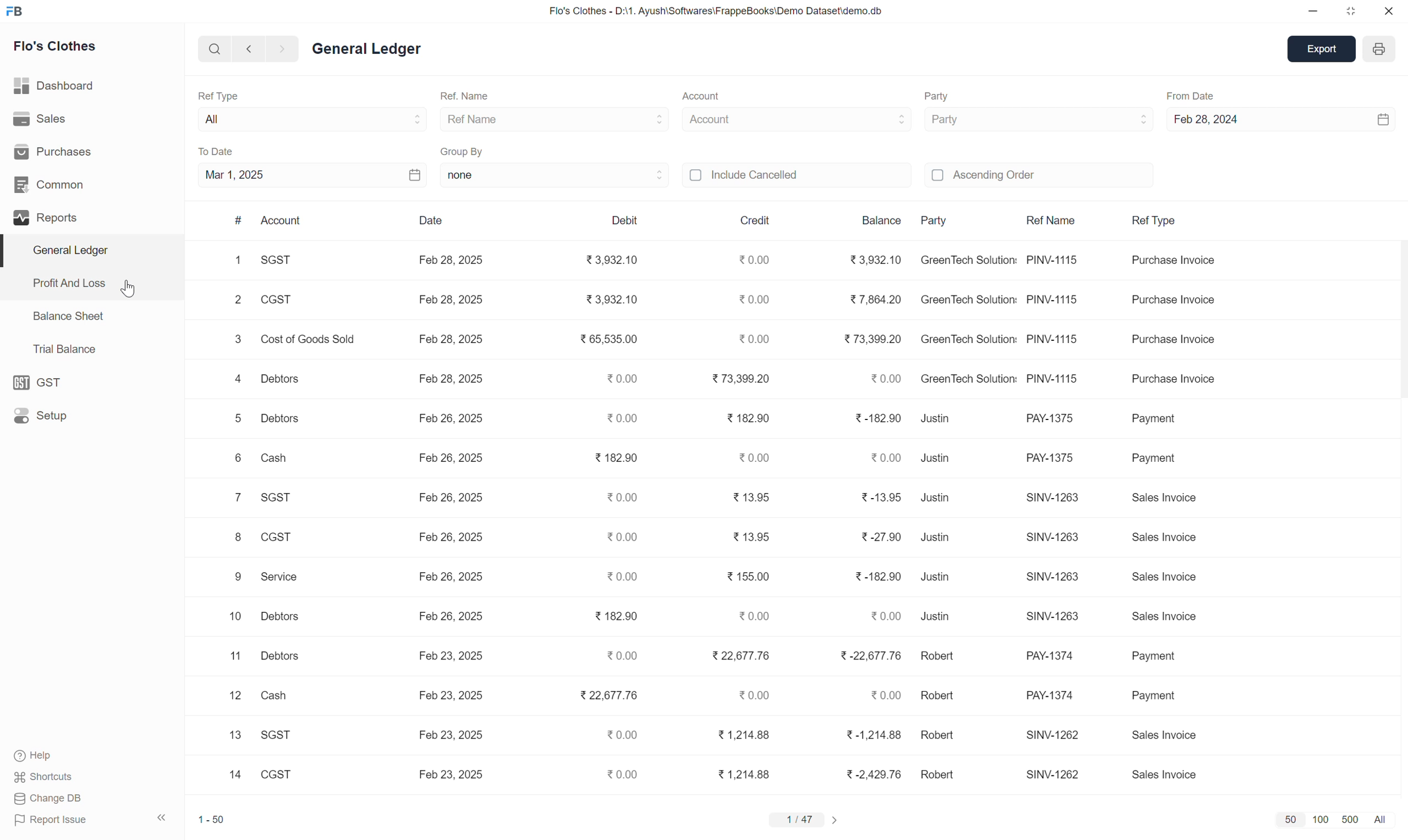  I want to click on 6, so click(234, 460).